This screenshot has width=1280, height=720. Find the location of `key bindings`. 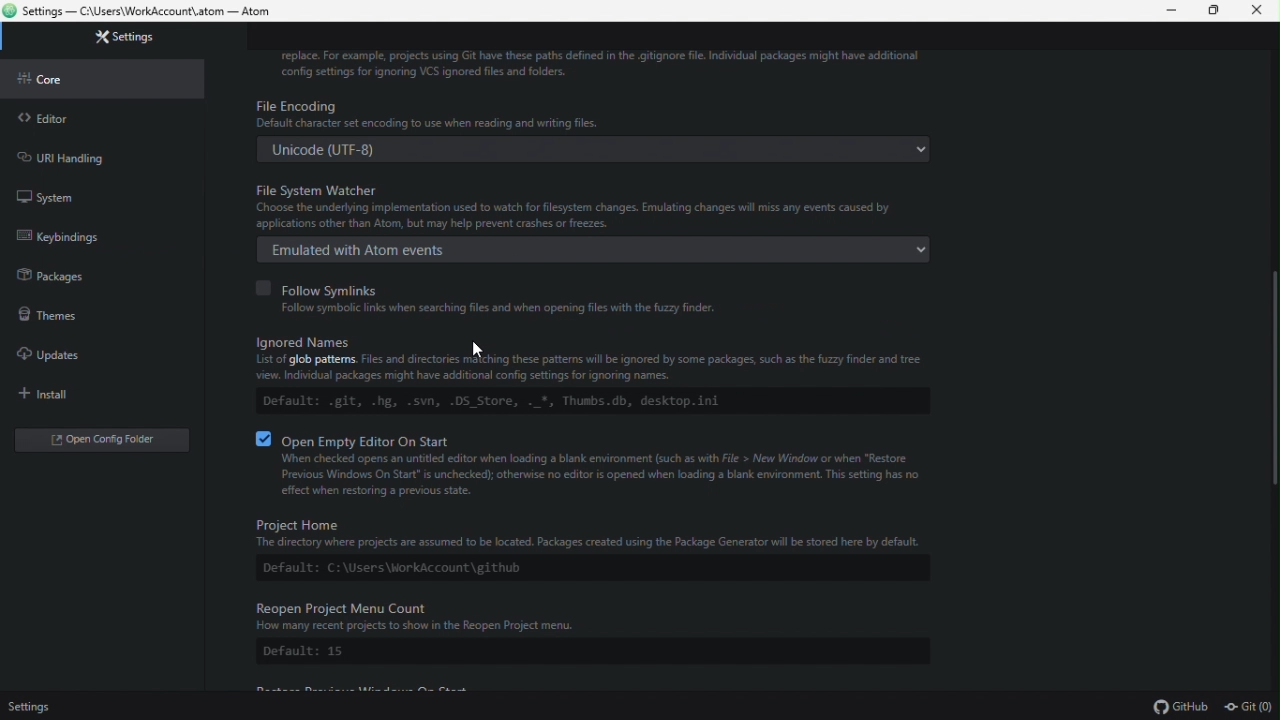

key bindings is located at coordinates (99, 241).